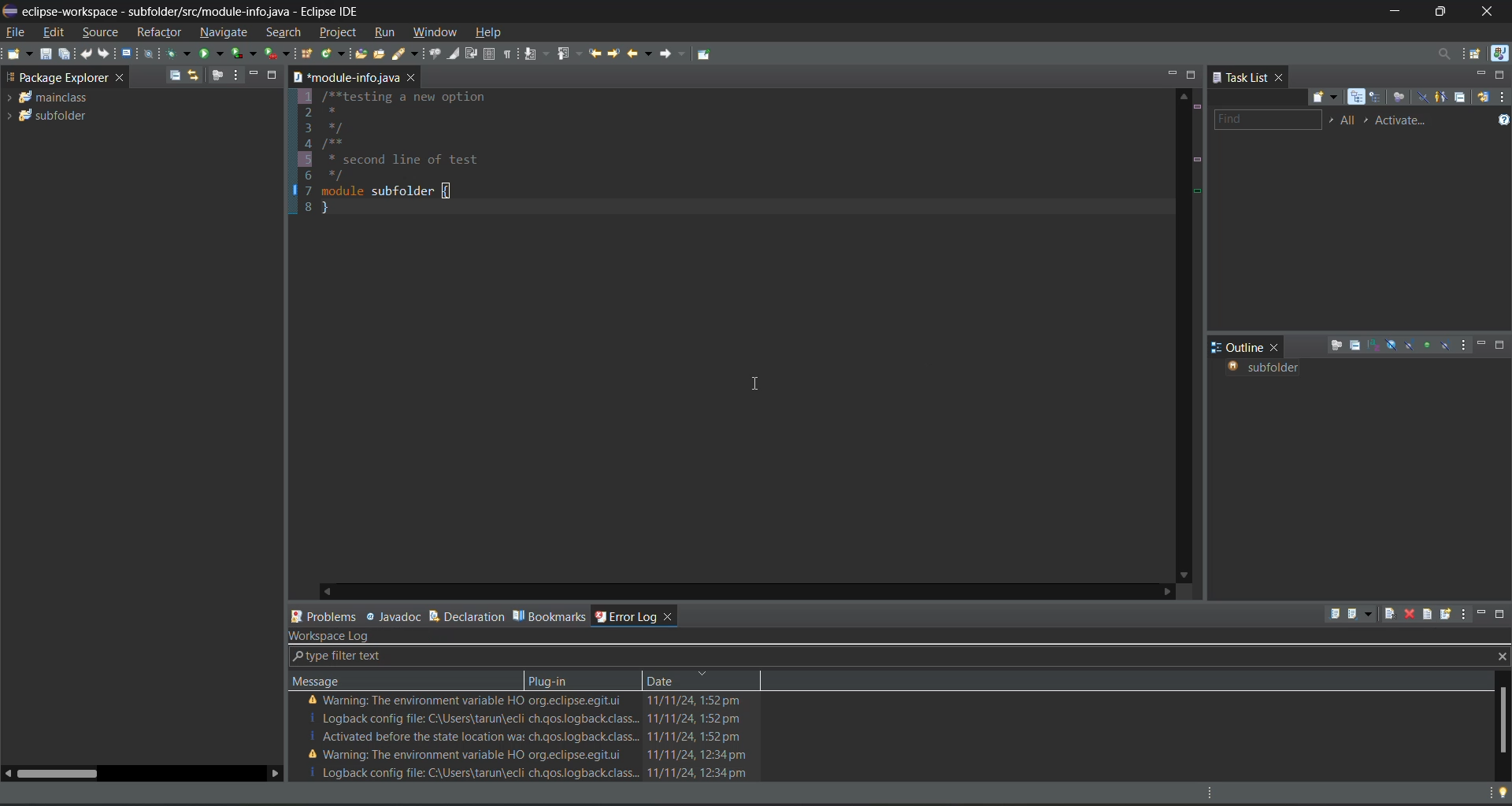 This screenshot has width=1512, height=806. I want to click on collapse all, so click(1464, 96).